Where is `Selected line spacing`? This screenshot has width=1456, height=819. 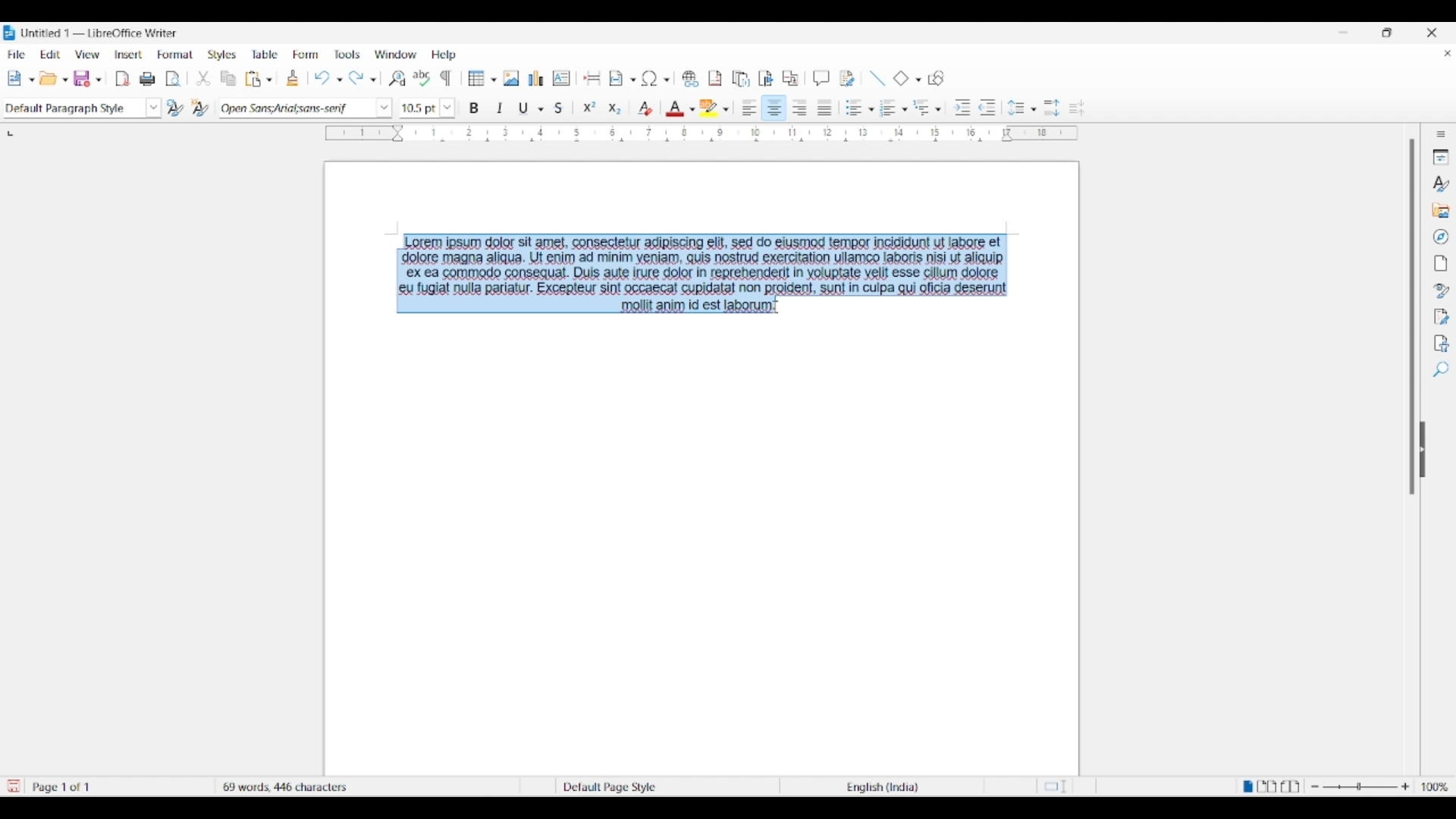
Selected line spacing is located at coordinates (1015, 108).